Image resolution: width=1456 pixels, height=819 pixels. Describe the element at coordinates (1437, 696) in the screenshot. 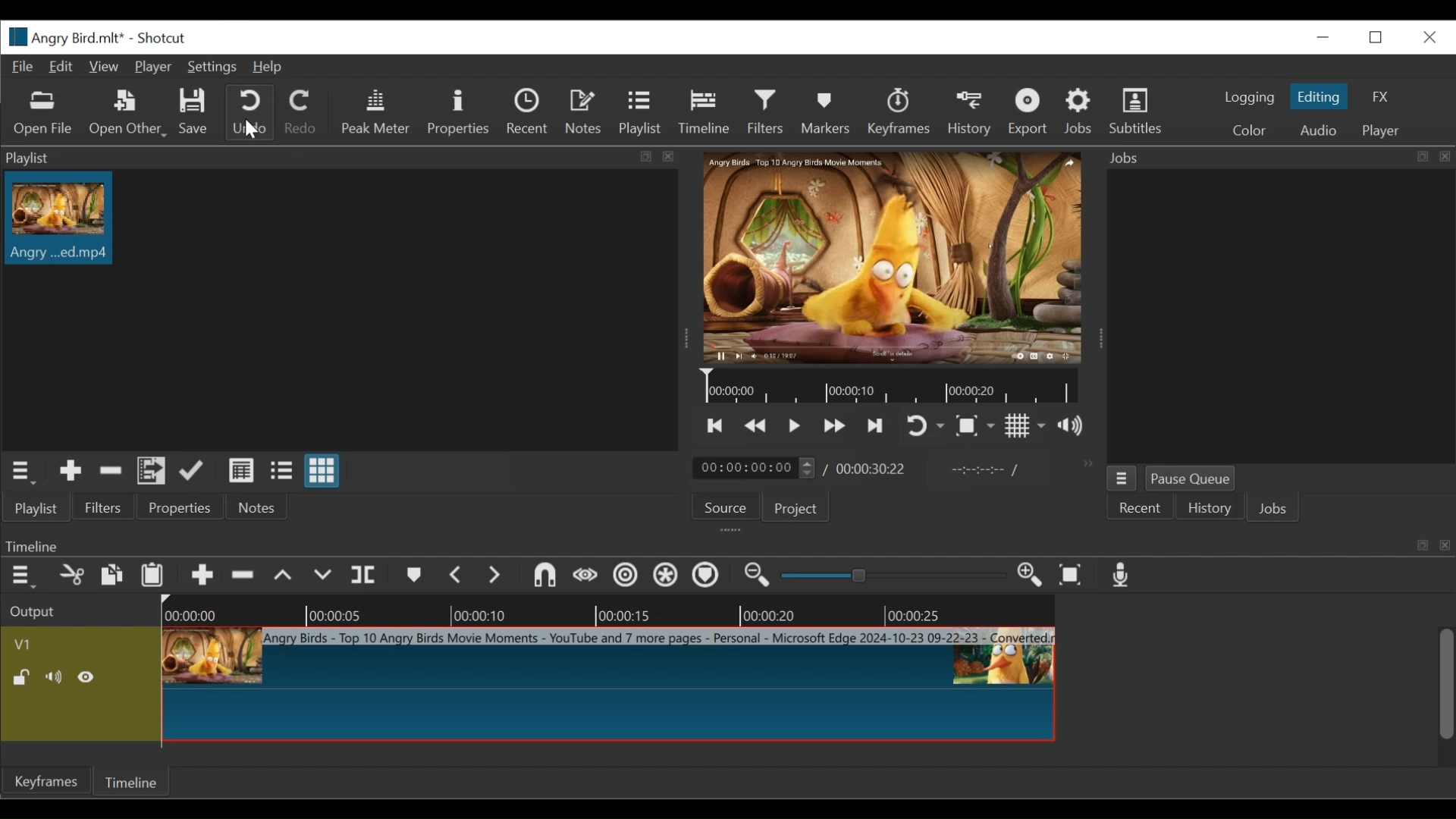

I see `vertical scroll bar` at that location.